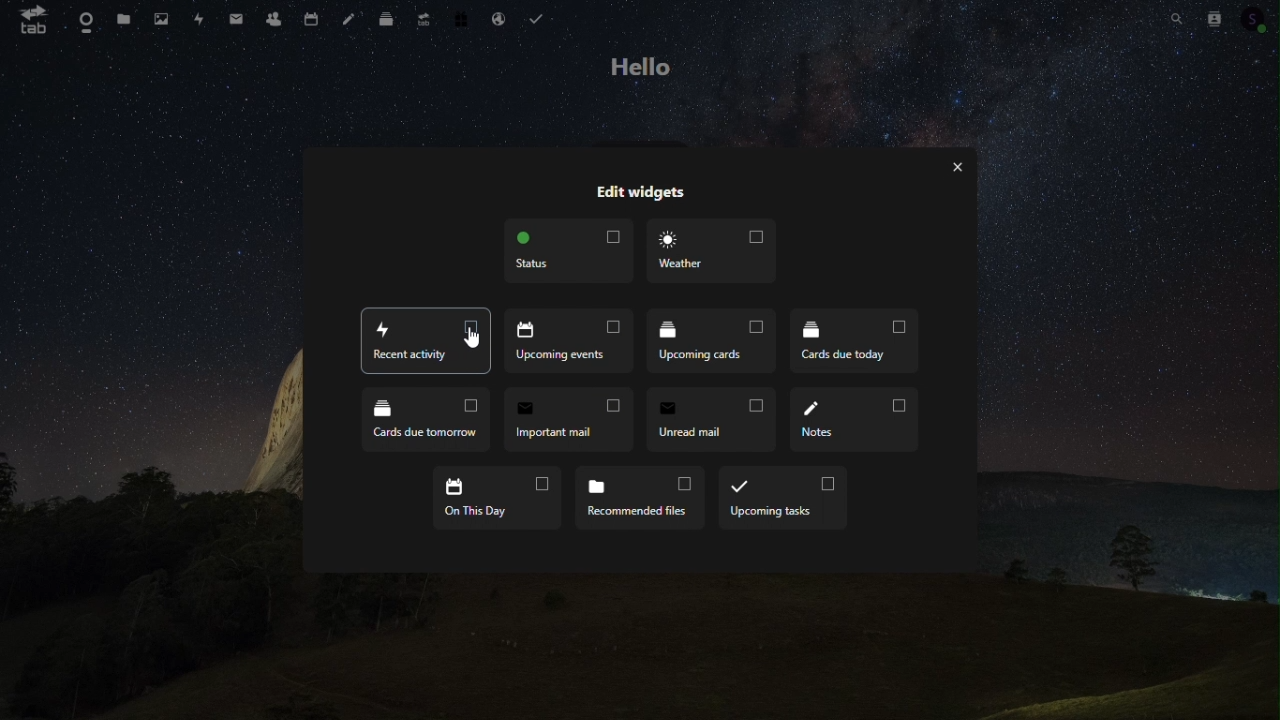 The image size is (1280, 720). Describe the element at coordinates (1258, 19) in the screenshot. I see `Account icon` at that location.